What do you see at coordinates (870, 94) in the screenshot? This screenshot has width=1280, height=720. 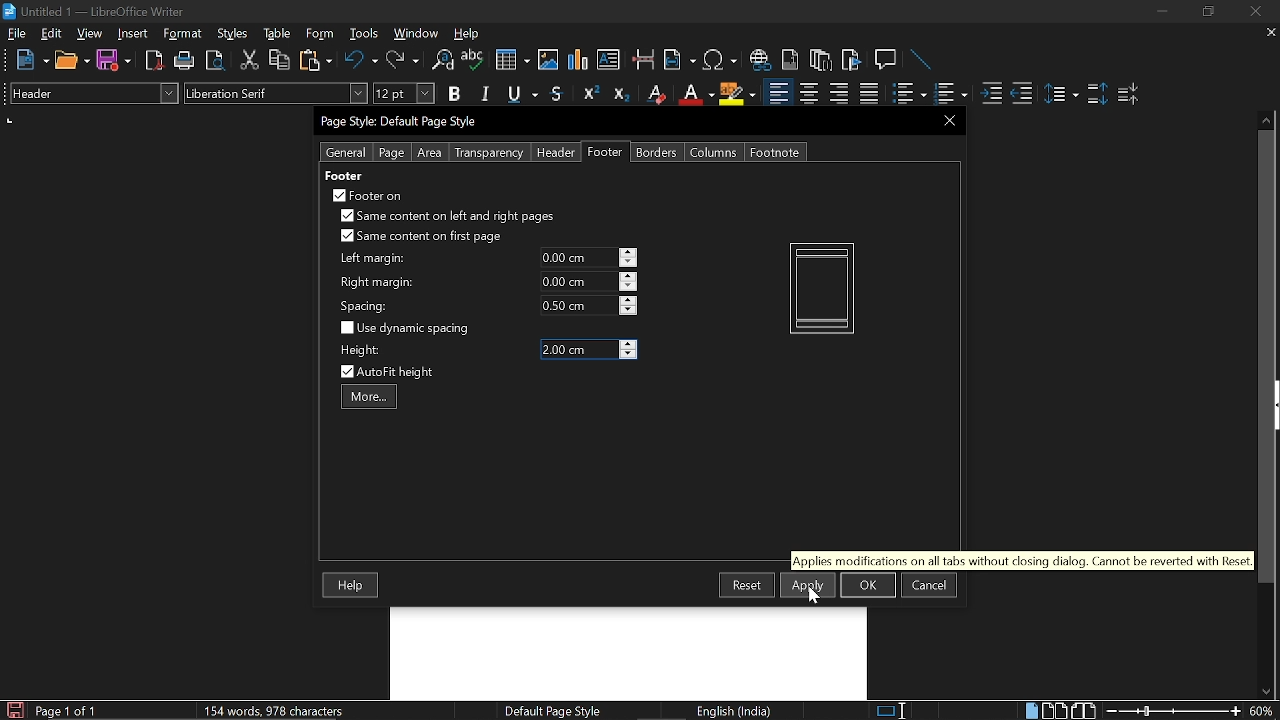 I see `Justified` at bounding box center [870, 94].